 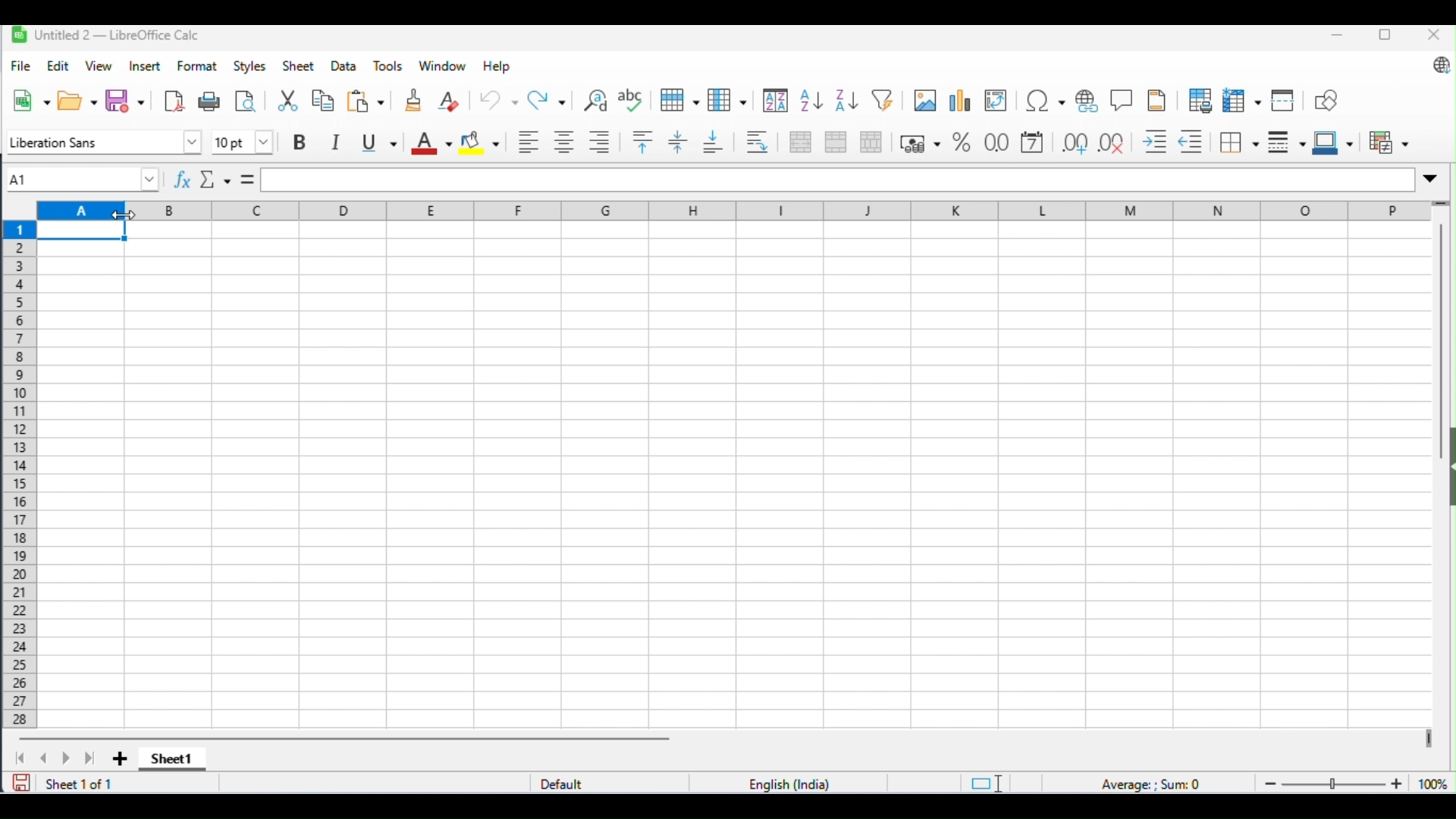 What do you see at coordinates (801, 142) in the screenshot?
I see `merge and center` at bounding box center [801, 142].